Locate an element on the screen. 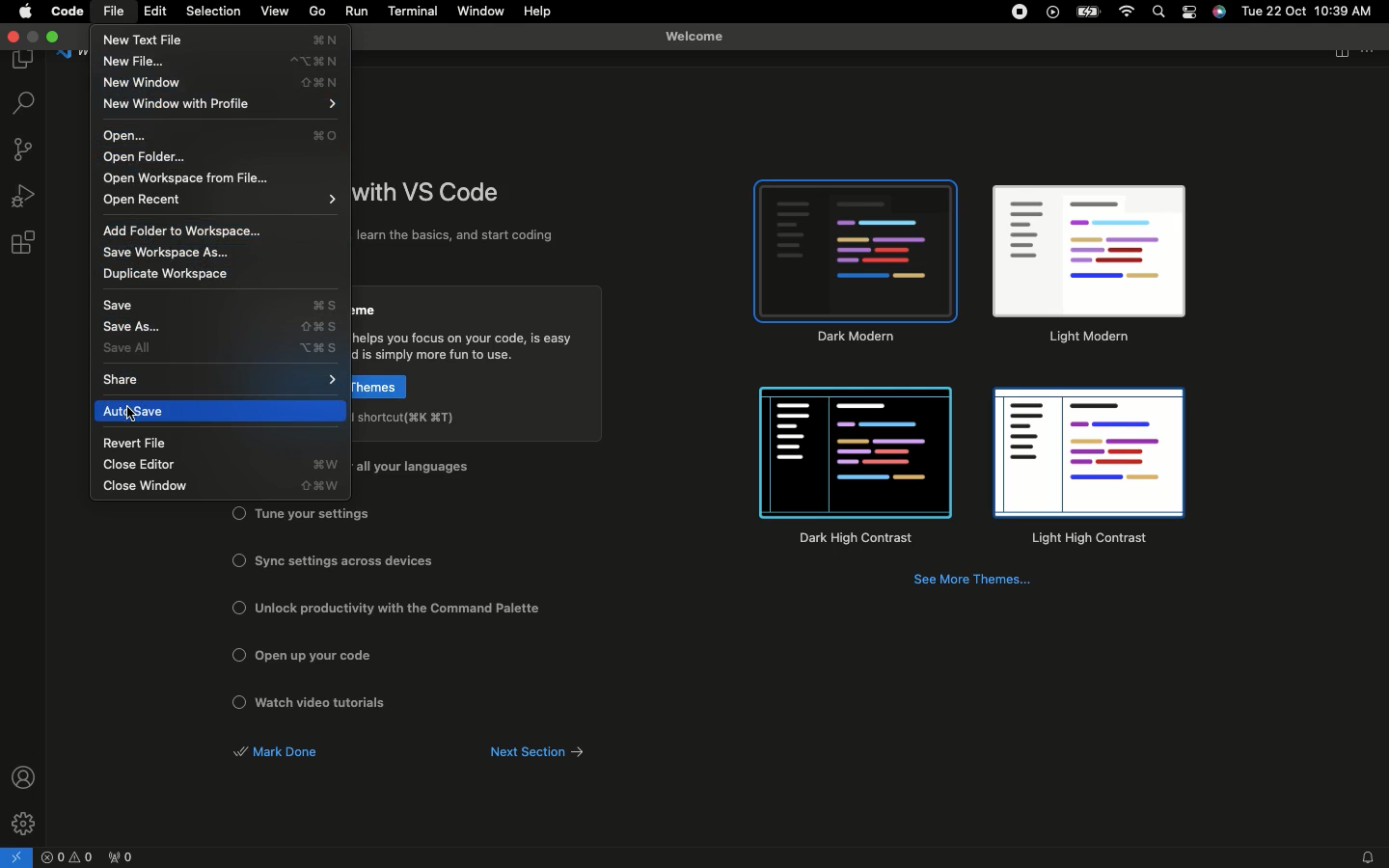 The height and width of the screenshot is (868, 1389). Notifications is located at coordinates (1365, 857).